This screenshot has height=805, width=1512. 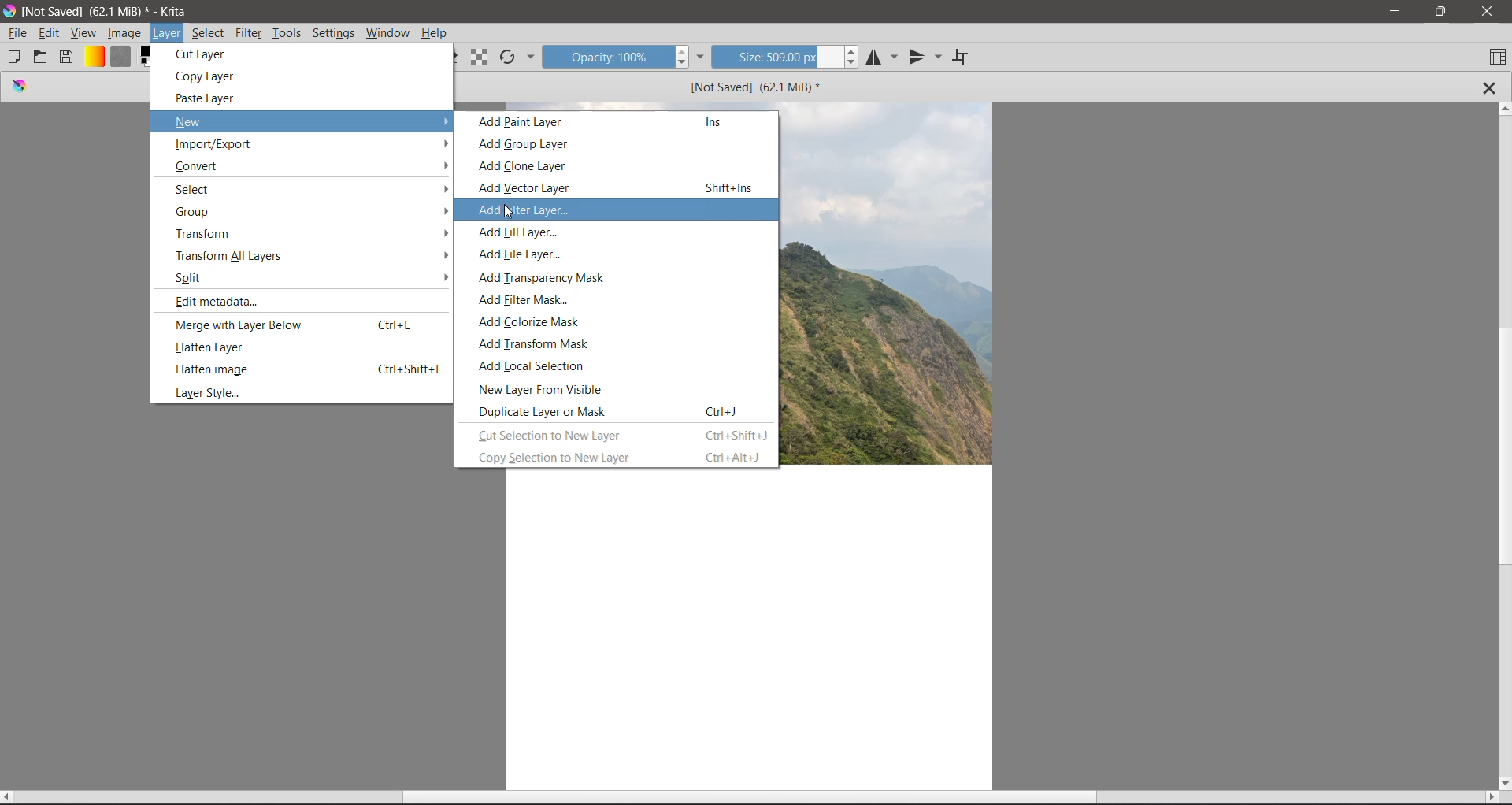 What do you see at coordinates (750, 798) in the screenshot?
I see `Horizontal Scroll Bar` at bounding box center [750, 798].